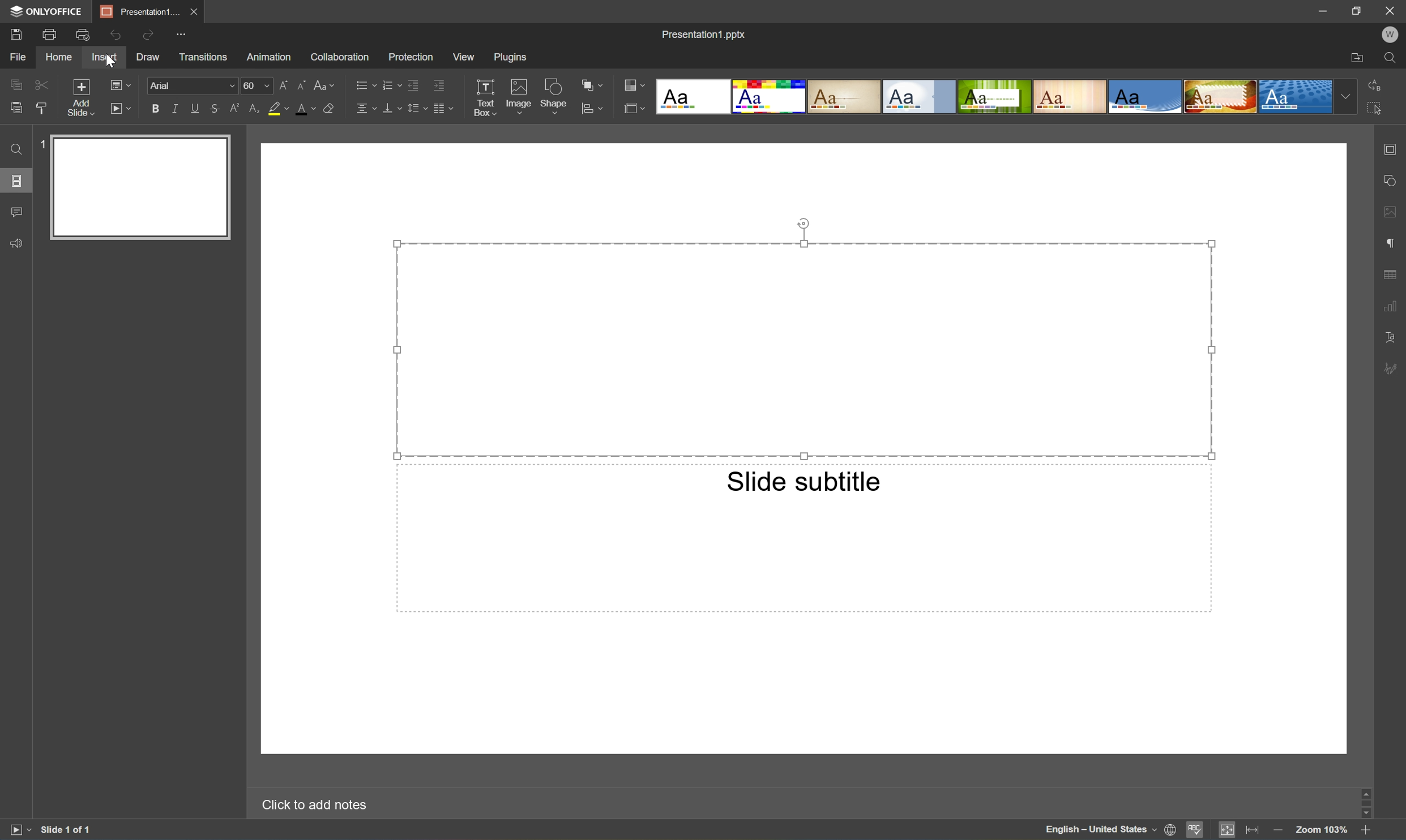  What do you see at coordinates (50, 33) in the screenshot?
I see `Print file` at bounding box center [50, 33].